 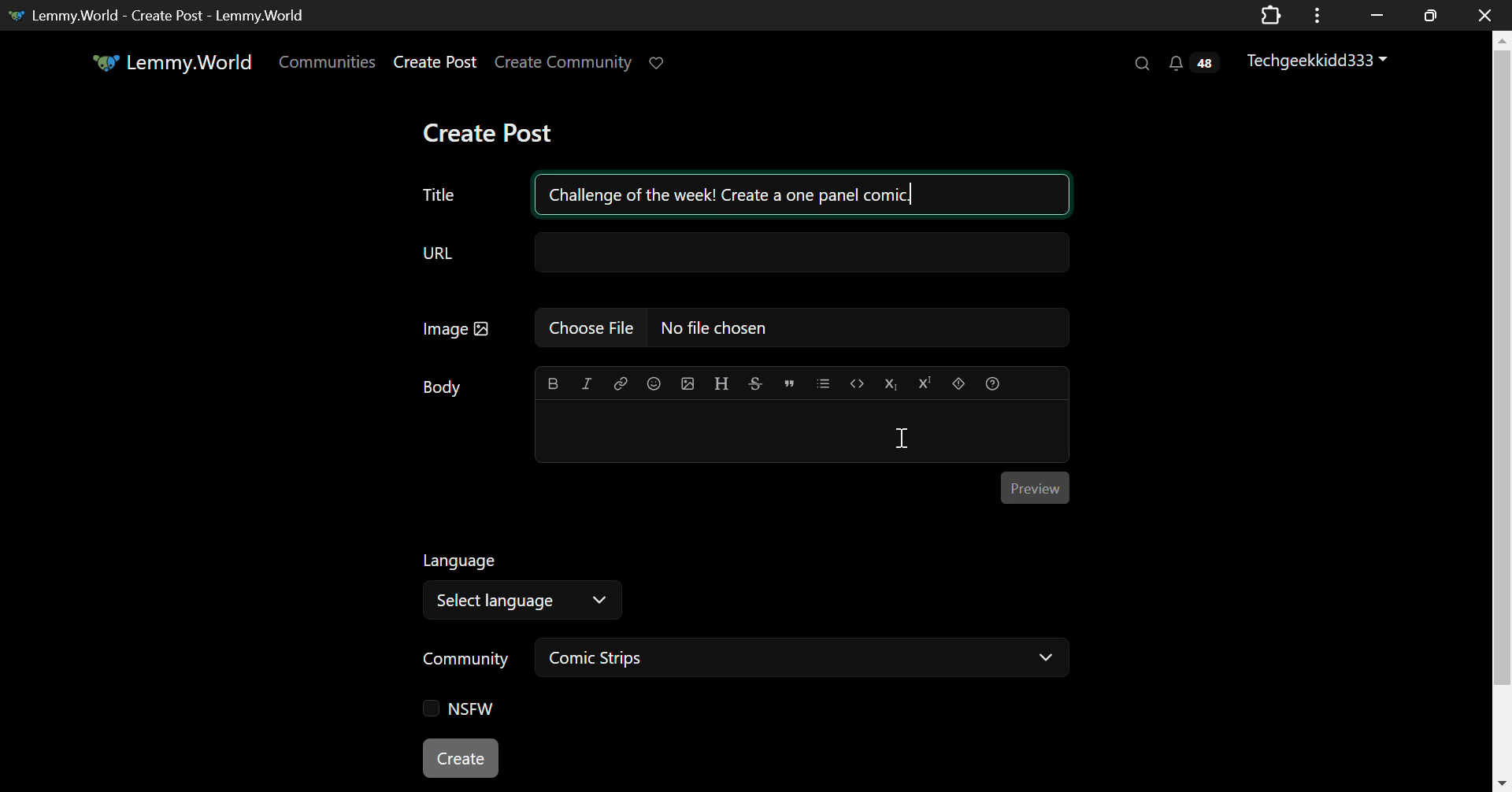 What do you see at coordinates (1320, 61) in the screenshot?
I see `Techgeekkidd333` at bounding box center [1320, 61].